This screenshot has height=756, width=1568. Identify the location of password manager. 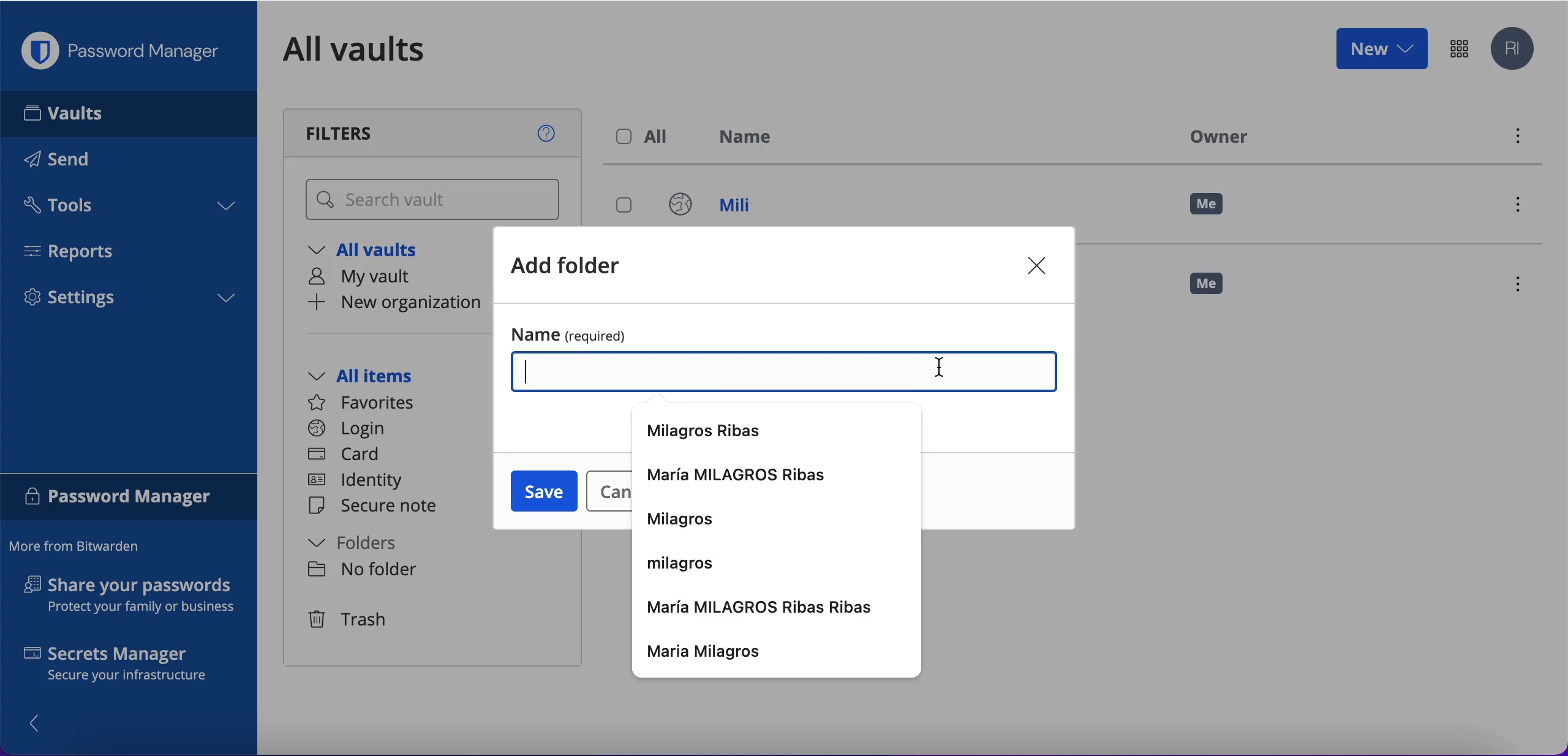
(1459, 48).